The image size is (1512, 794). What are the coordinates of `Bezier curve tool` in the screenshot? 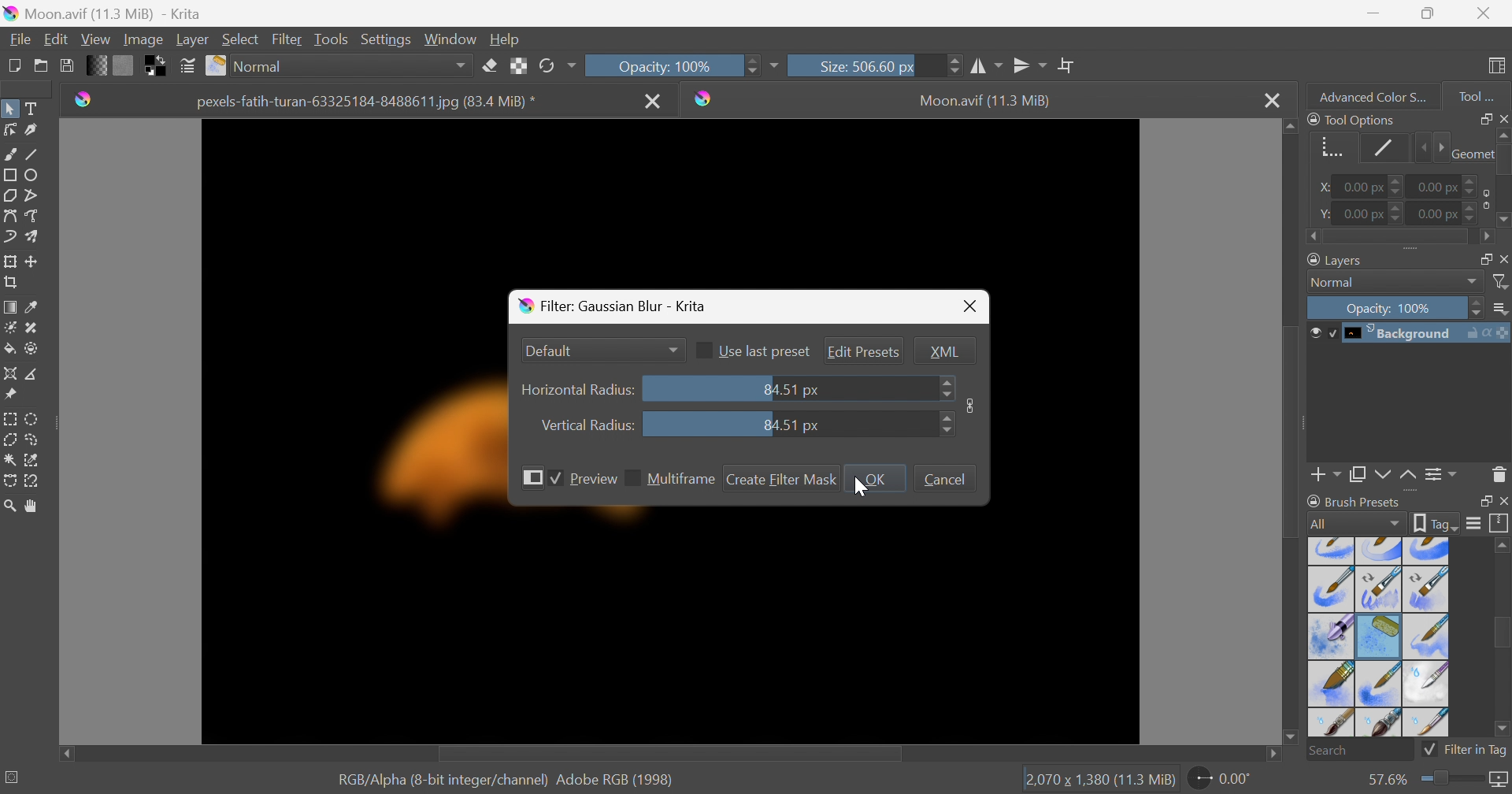 It's located at (9, 216).